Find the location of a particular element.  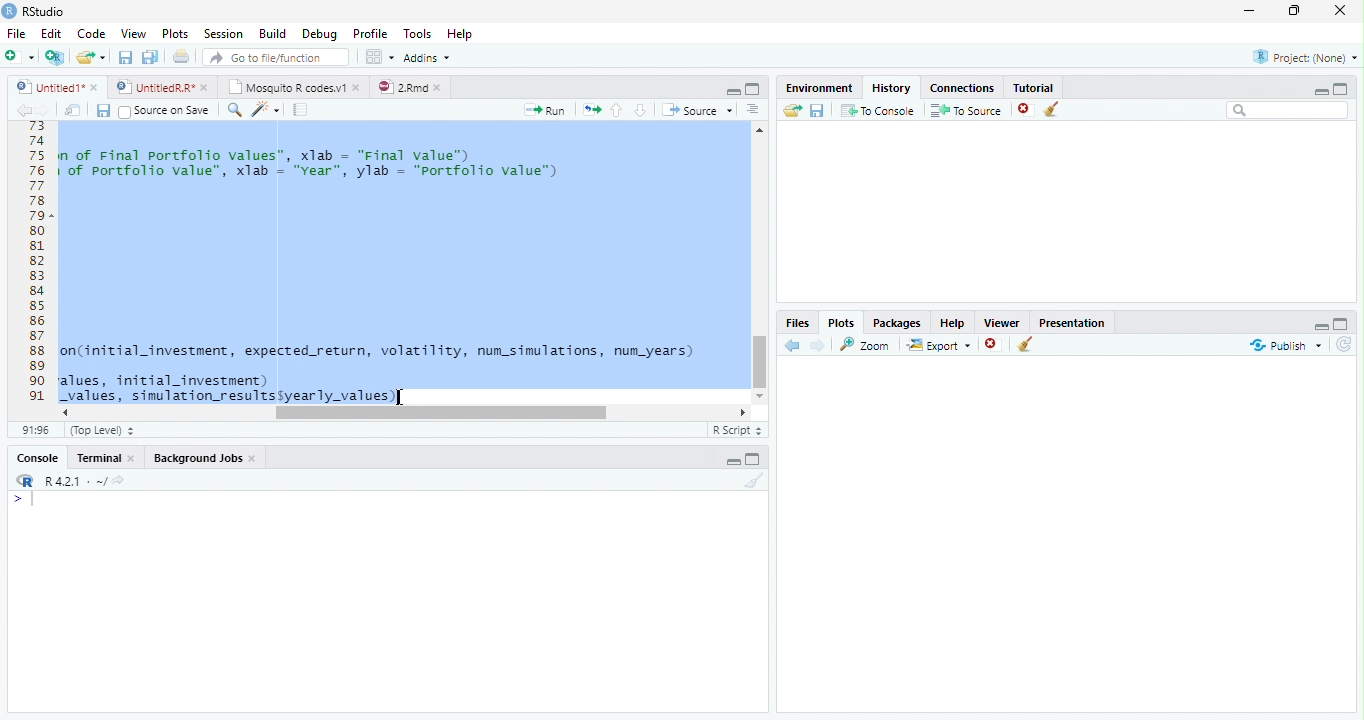

Hide is located at coordinates (732, 461).